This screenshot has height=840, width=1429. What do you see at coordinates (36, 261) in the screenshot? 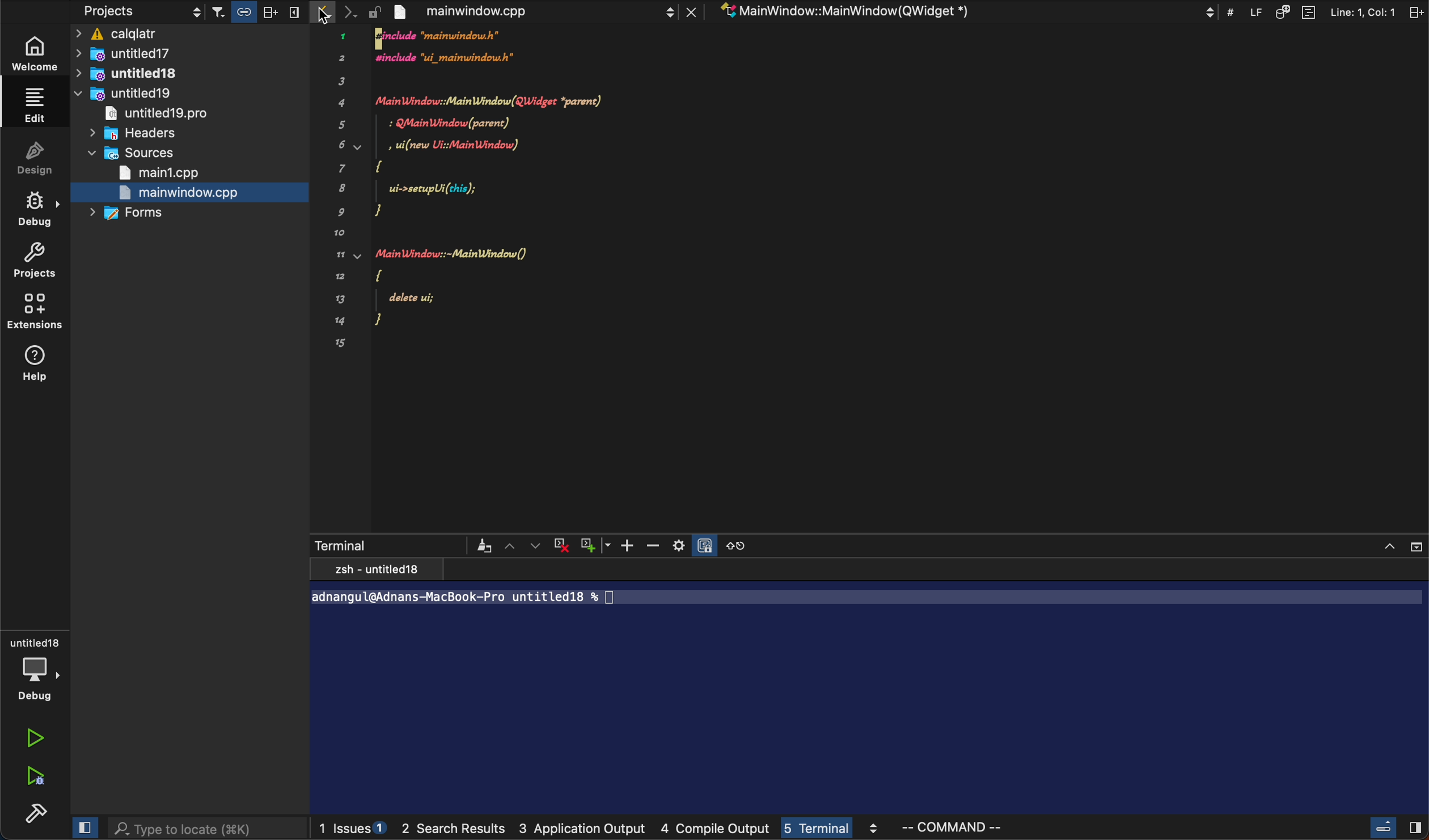
I see `project` at bounding box center [36, 261].